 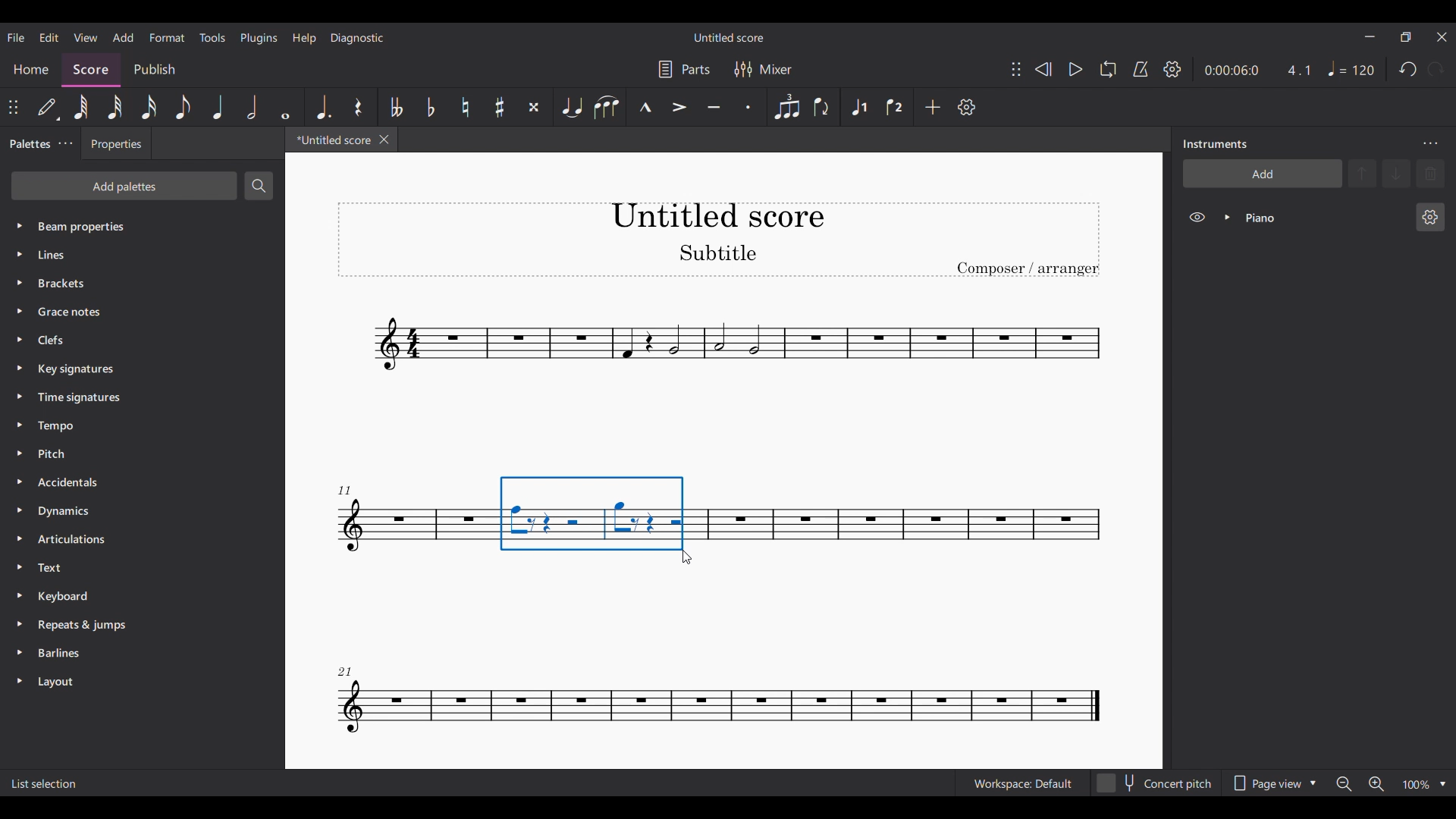 I want to click on Brackets, so click(x=136, y=280).